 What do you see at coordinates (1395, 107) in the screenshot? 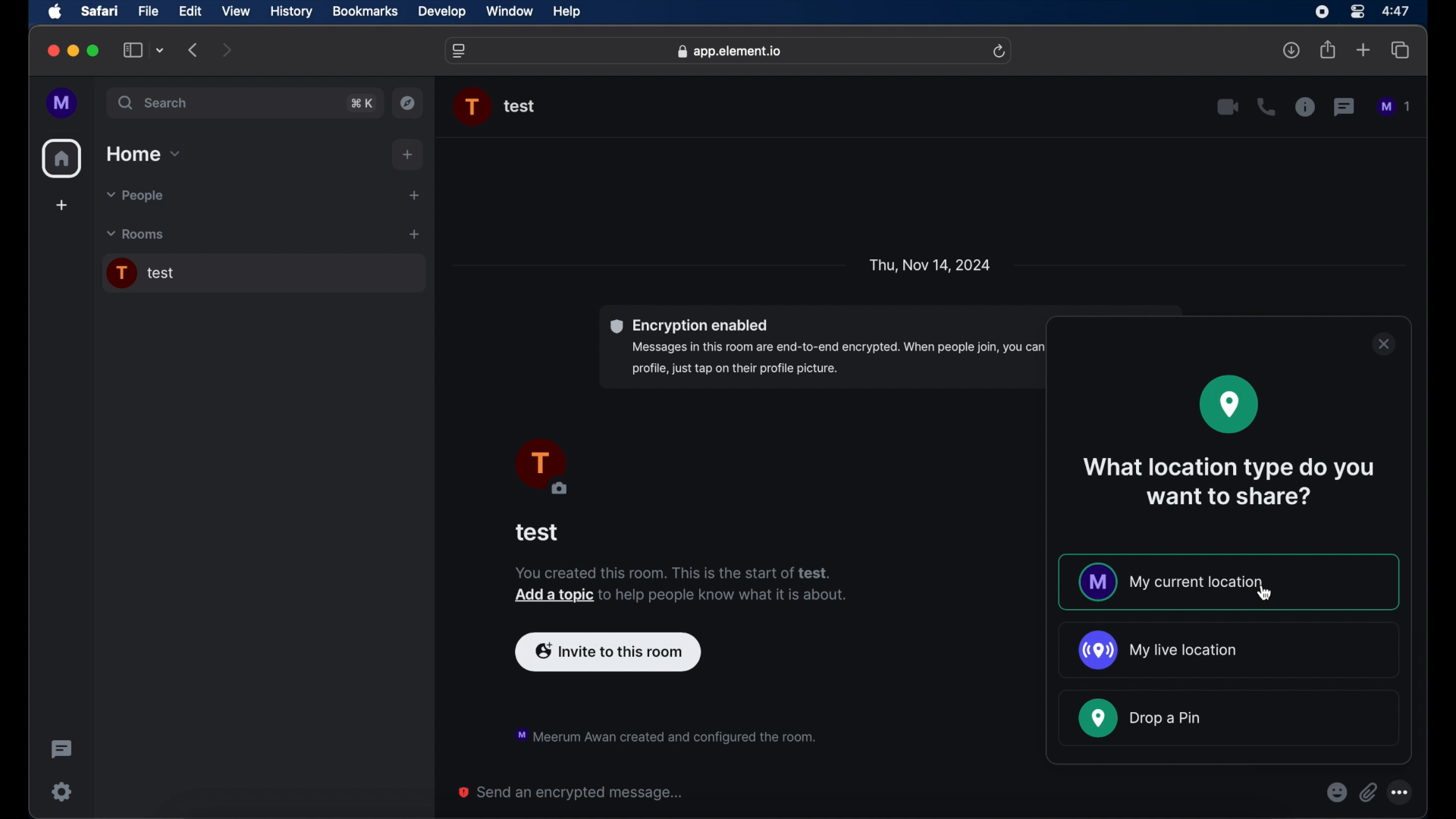
I see `messages` at bounding box center [1395, 107].